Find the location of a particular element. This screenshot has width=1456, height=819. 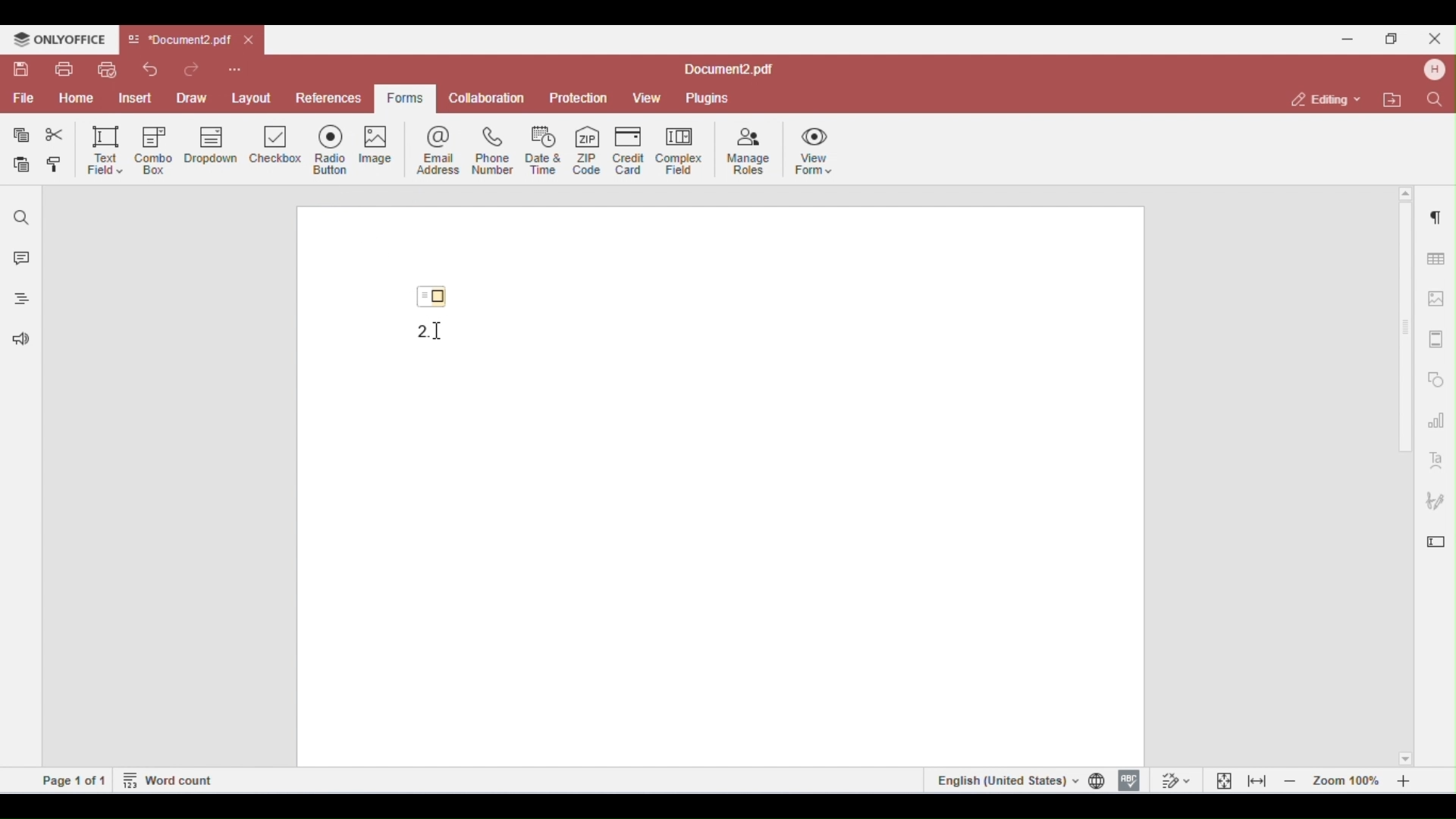

find is located at coordinates (22, 218).